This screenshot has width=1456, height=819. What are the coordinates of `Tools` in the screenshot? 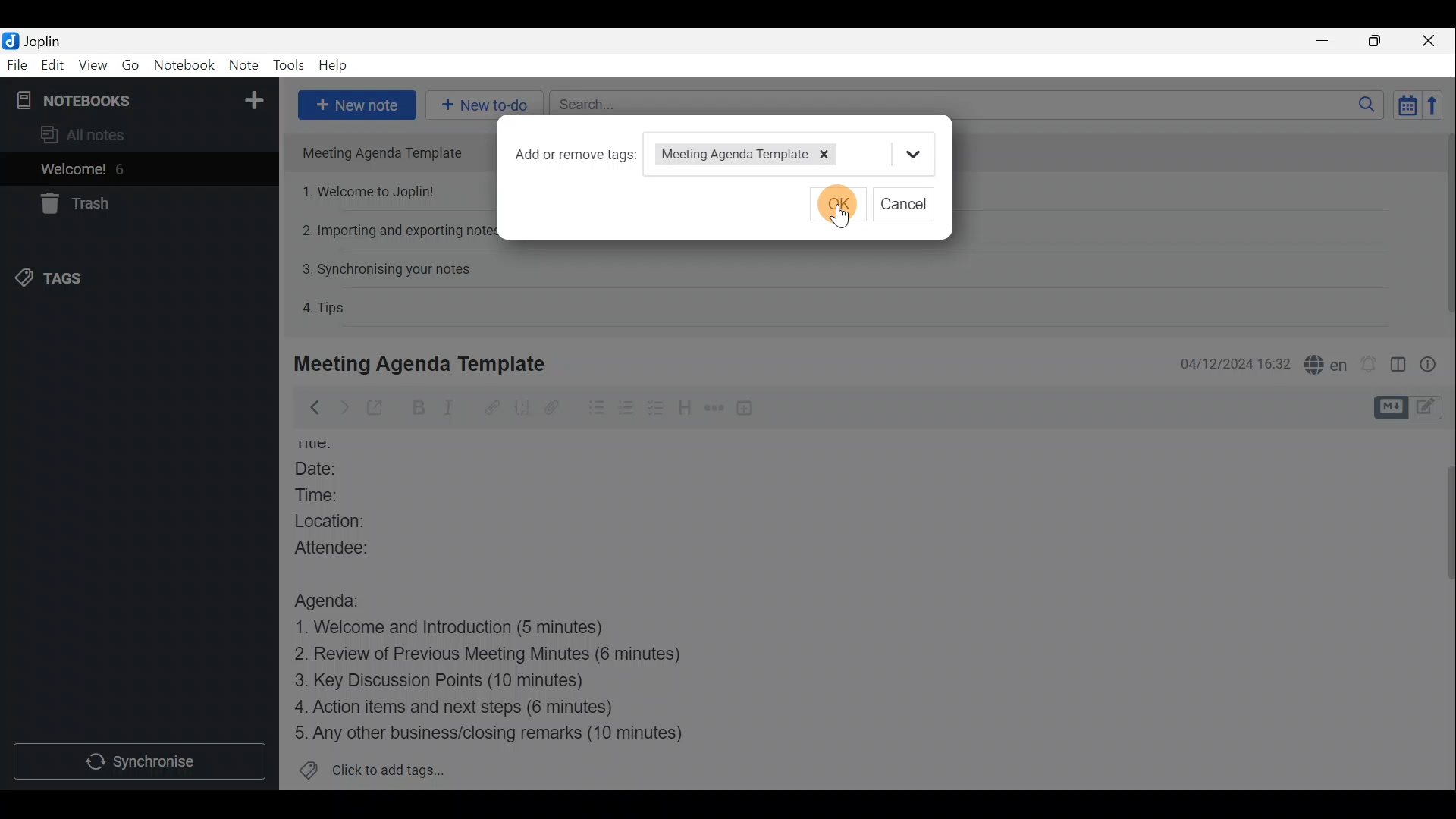 It's located at (286, 63).